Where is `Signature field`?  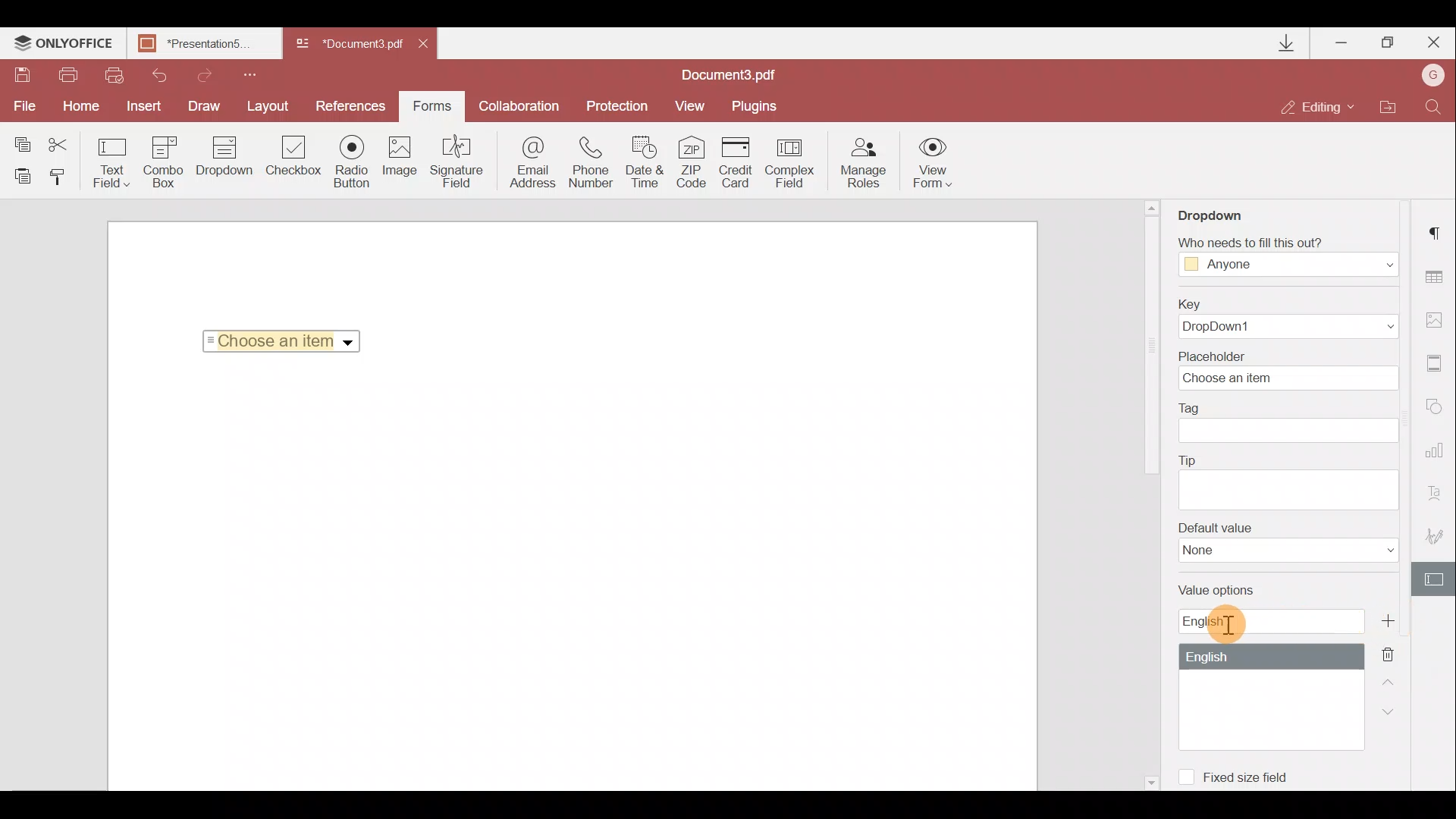
Signature field is located at coordinates (453, 161).